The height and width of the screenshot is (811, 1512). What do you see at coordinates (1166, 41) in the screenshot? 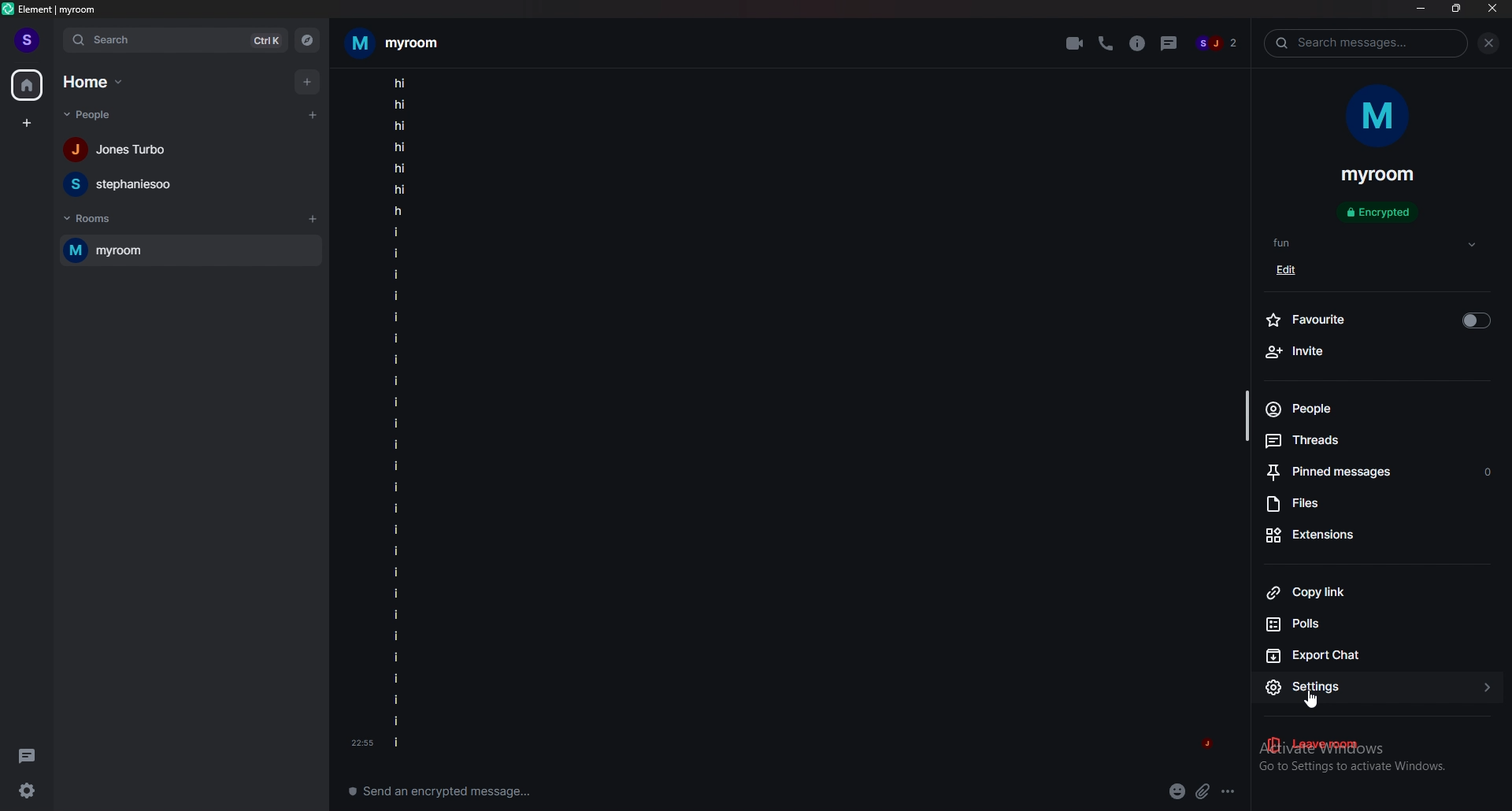
I see `threads` at bounding box center [1166, 41].